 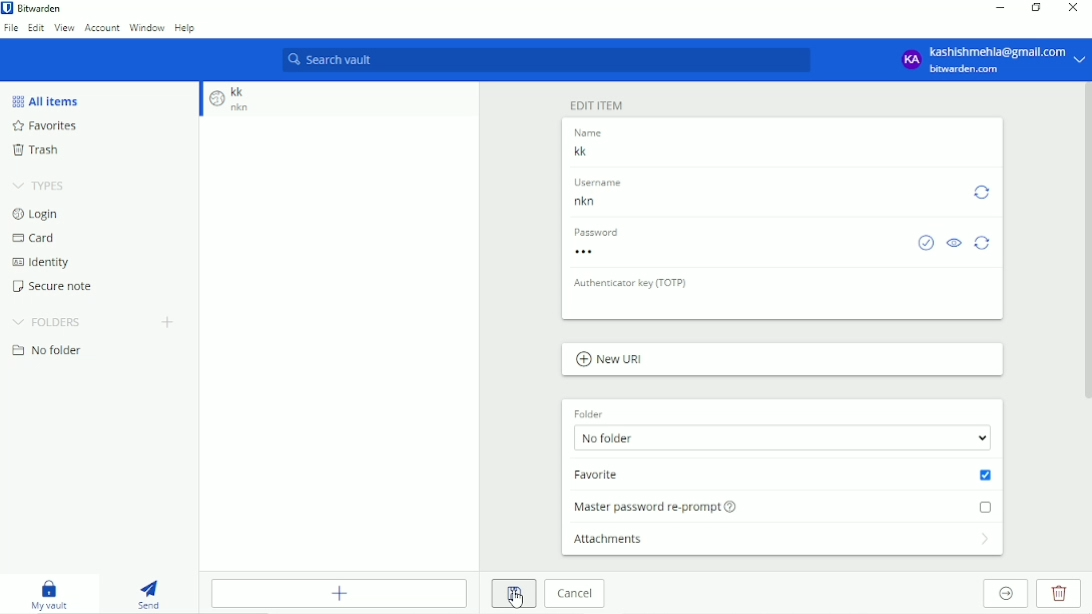 What do you see at coordinates (337, 593) in the screenshot?
I see `Add Item` at bounding box center [337, 593].